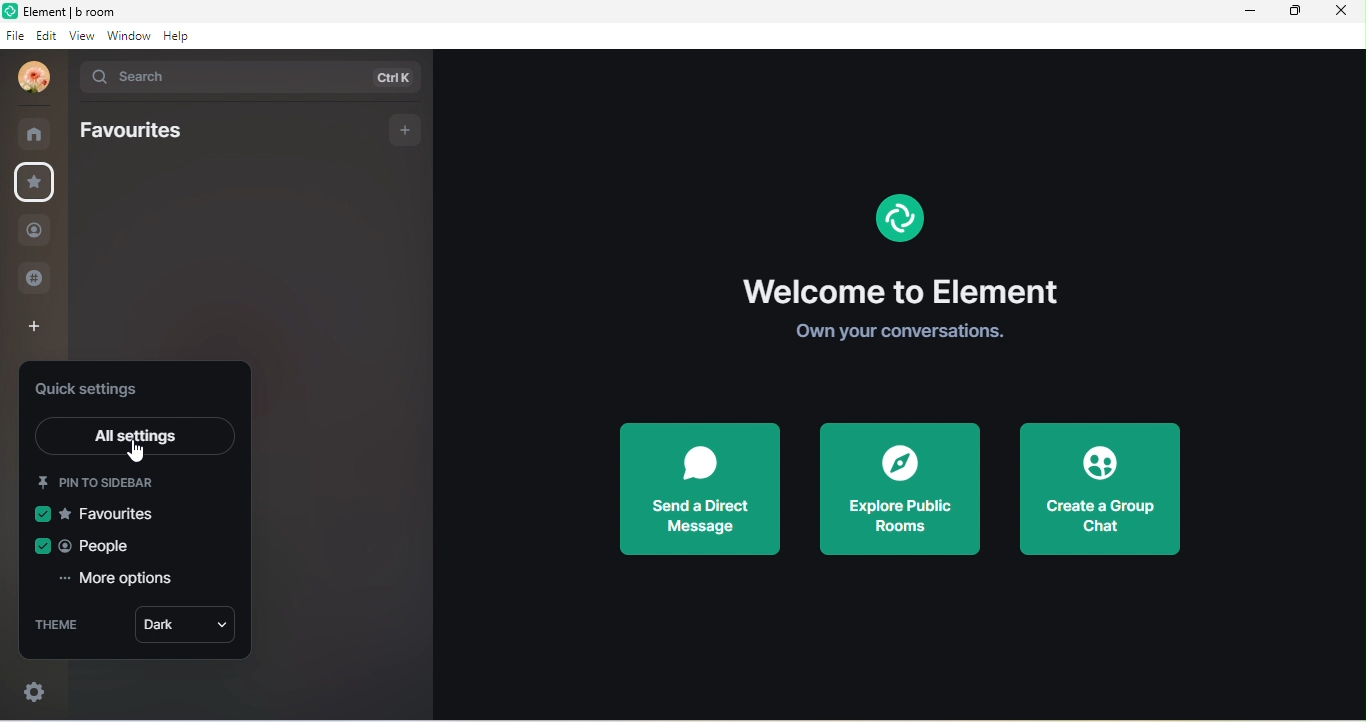  Describe the element at coordinates (911, 335) in the screenshot. I see `own  your conversations` at that location.